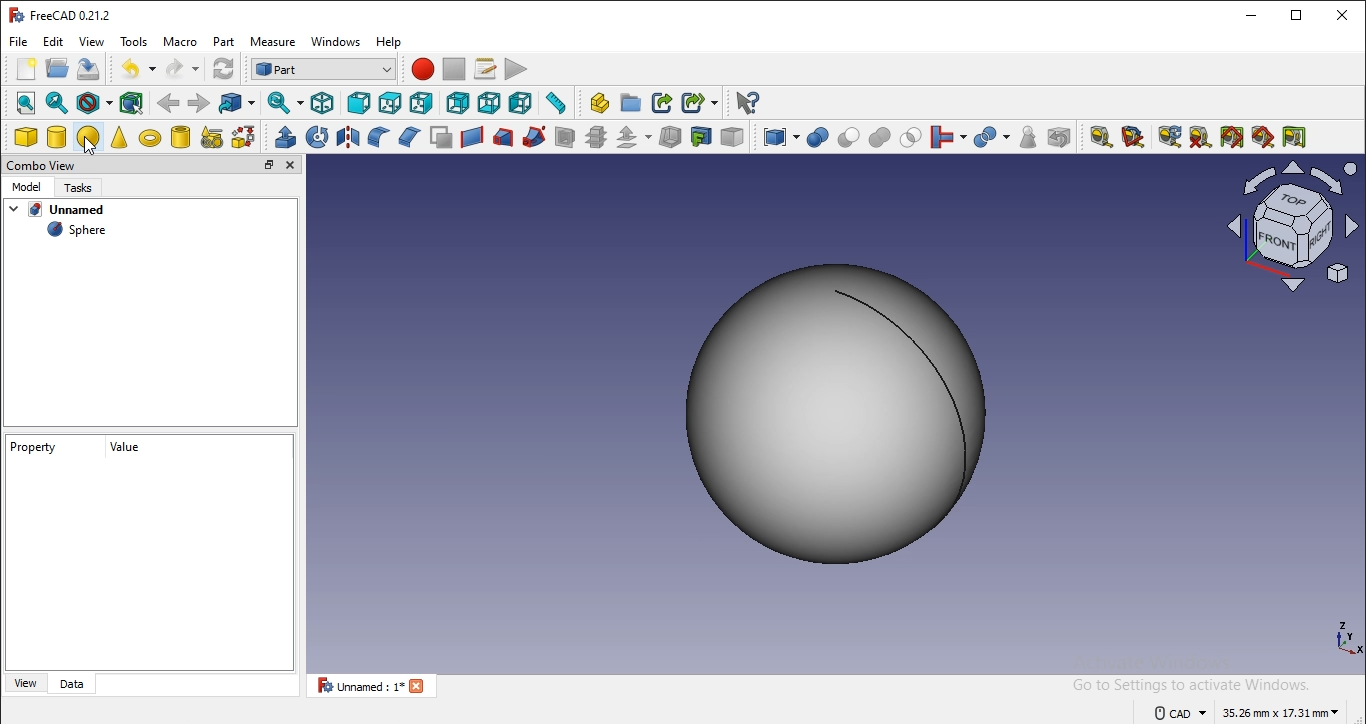  I want to click on workbench, so click(324, 70).